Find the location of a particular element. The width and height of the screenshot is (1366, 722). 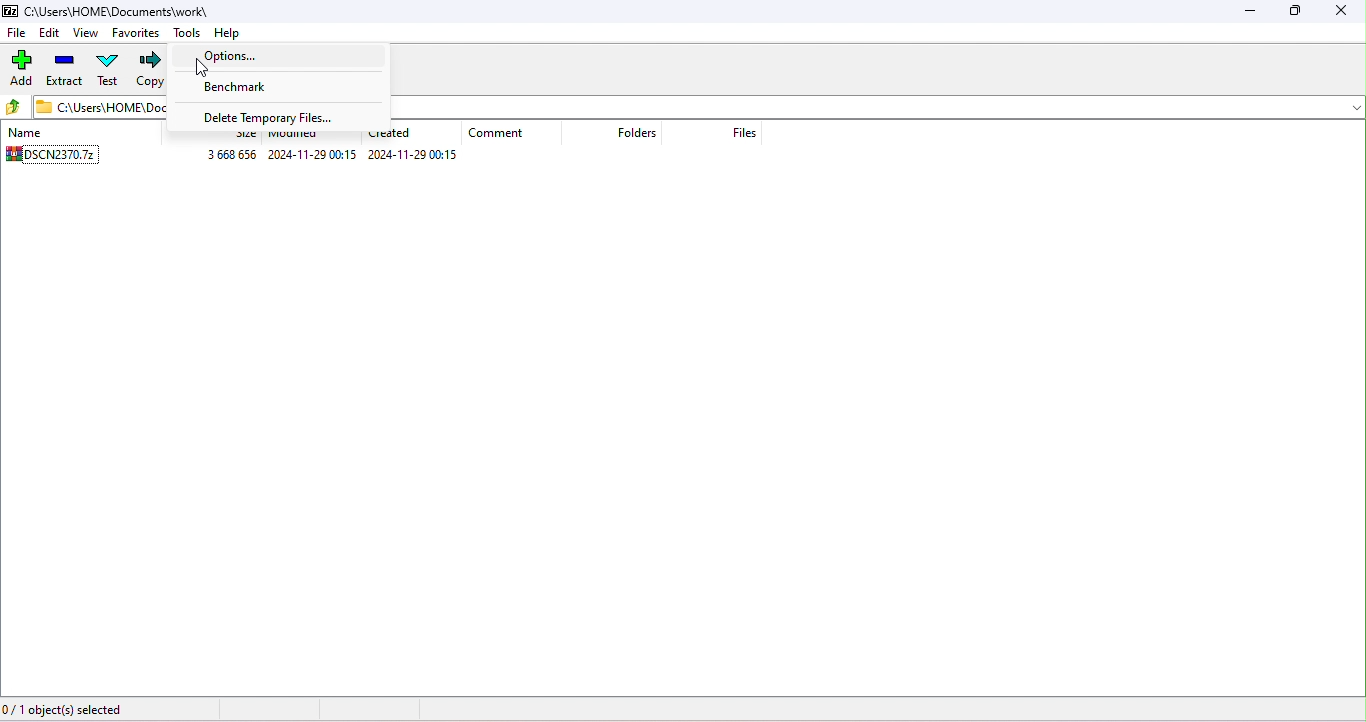

favorites is located at coordinates (137, 32).